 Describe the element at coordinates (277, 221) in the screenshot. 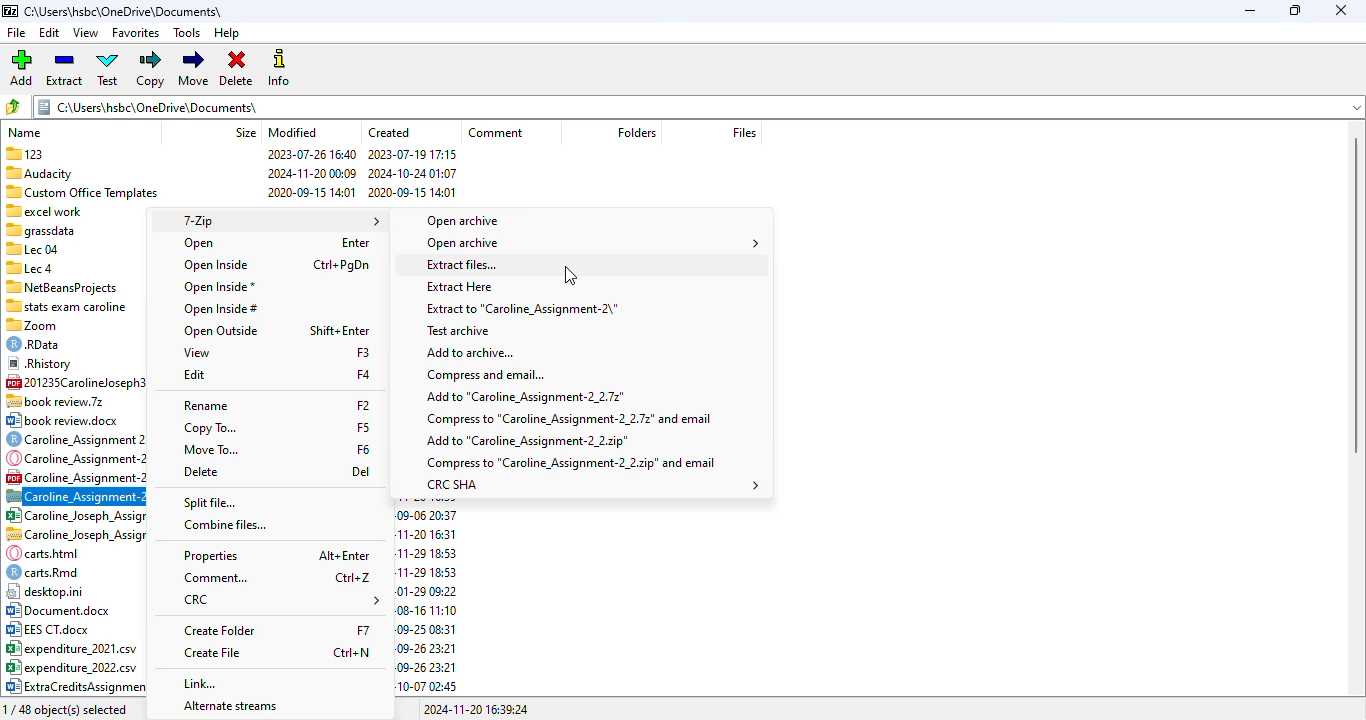

I see `7-Zip` at that location.